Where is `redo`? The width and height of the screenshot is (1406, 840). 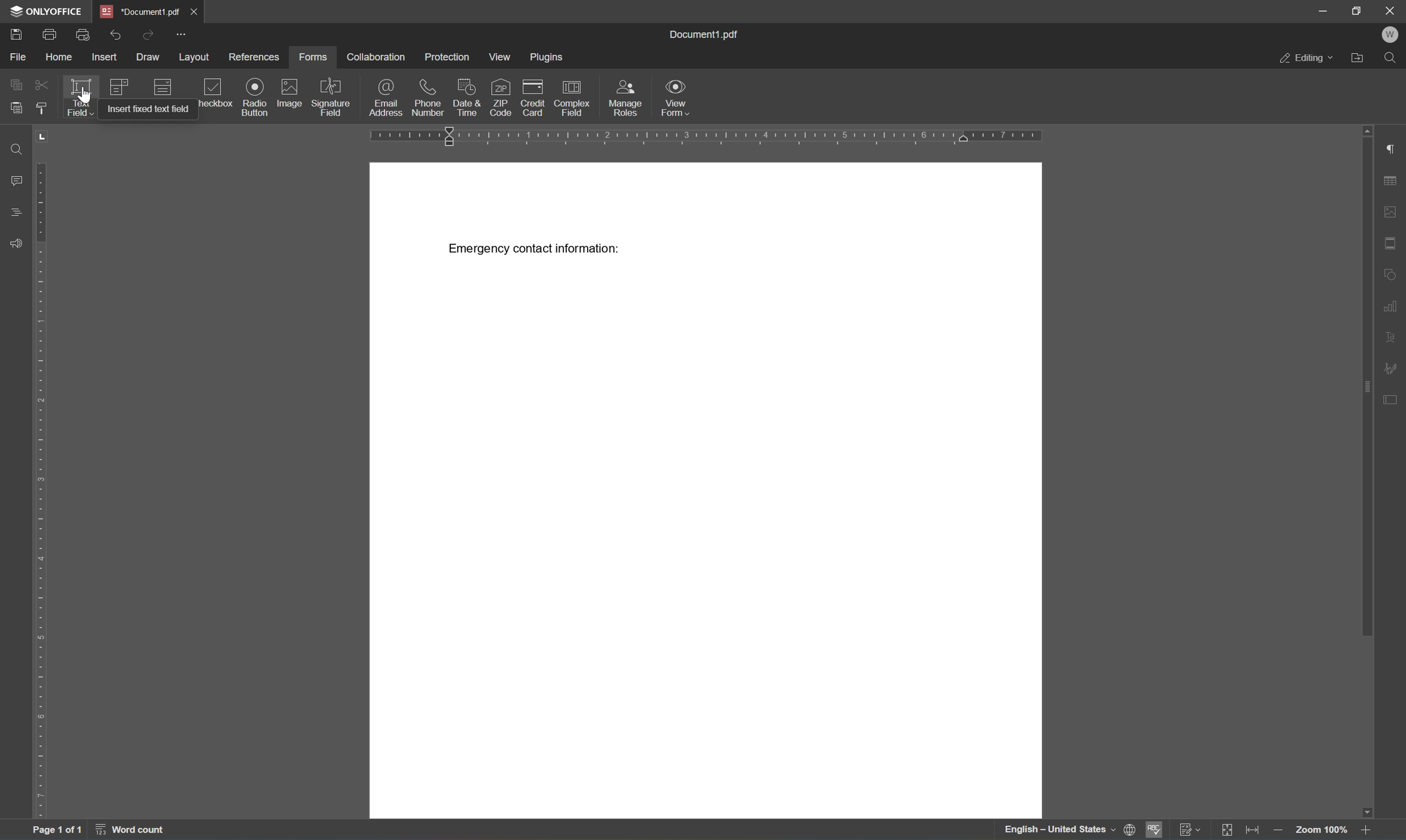
redo is located at coordinates (146, 36).